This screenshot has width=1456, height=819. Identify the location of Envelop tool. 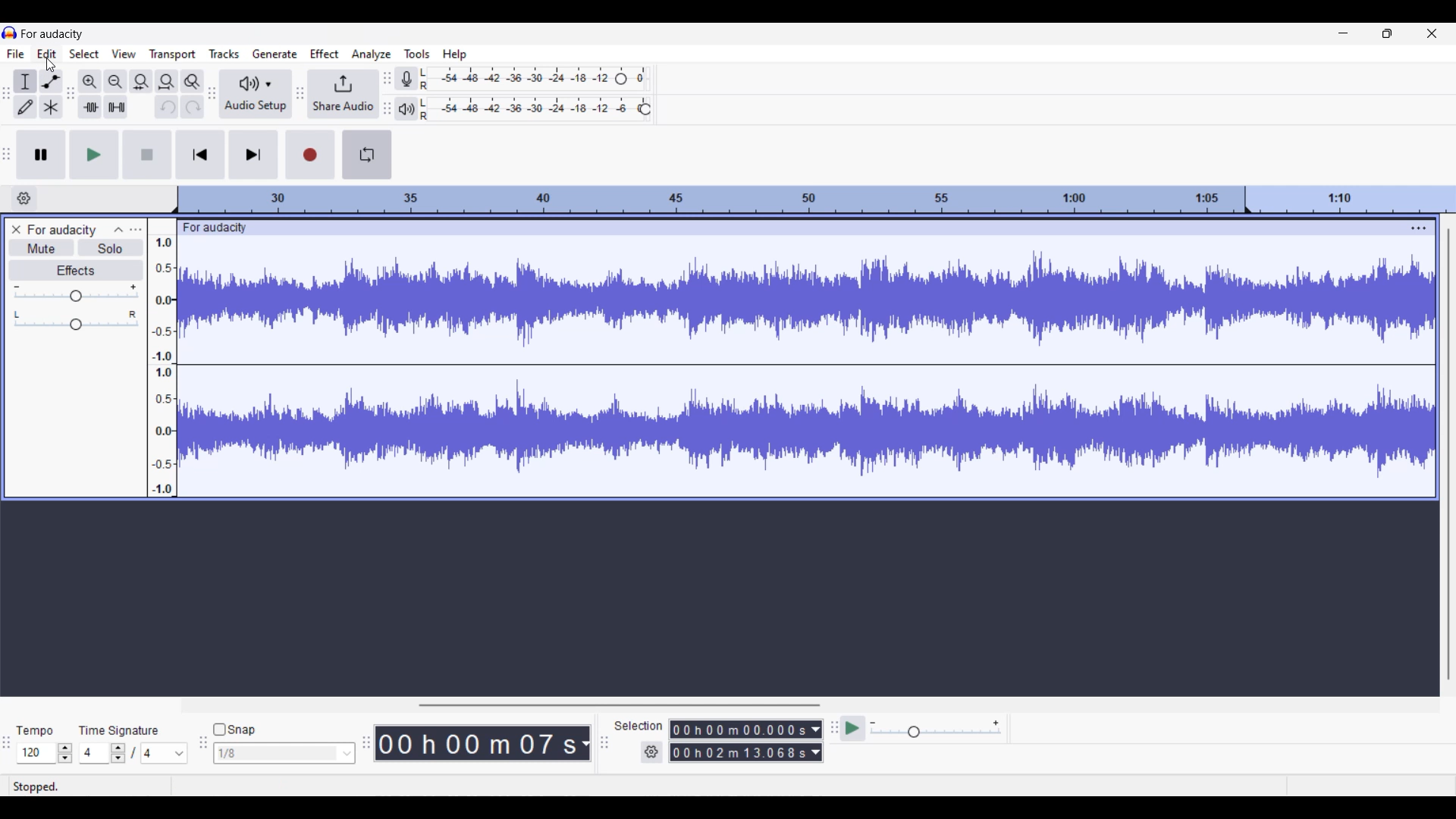
(51, 81).